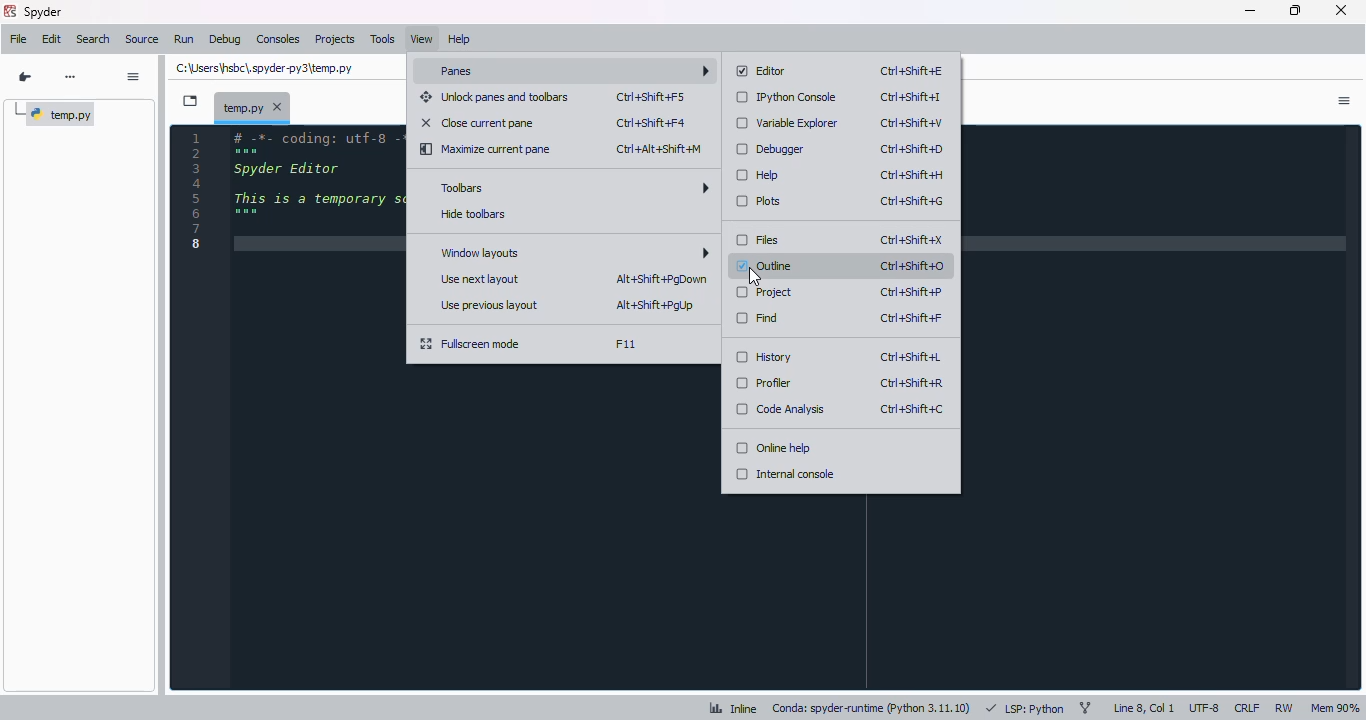 This screenshot has height=720, width=1366. What do you see at coordinates (24, 77) in the screenshot?
I see `go to cursor position` at bounding box center [24, 77].